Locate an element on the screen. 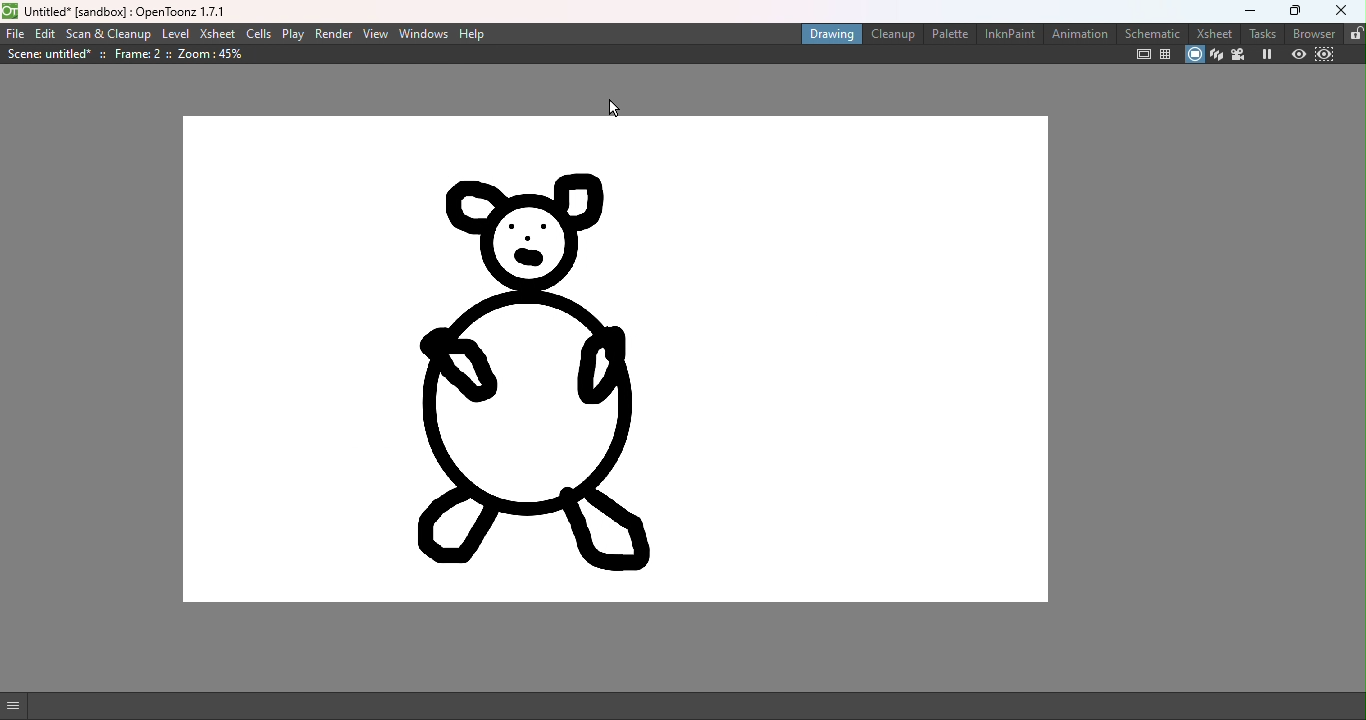  Xsheet is located at coordinates (1211, 33).